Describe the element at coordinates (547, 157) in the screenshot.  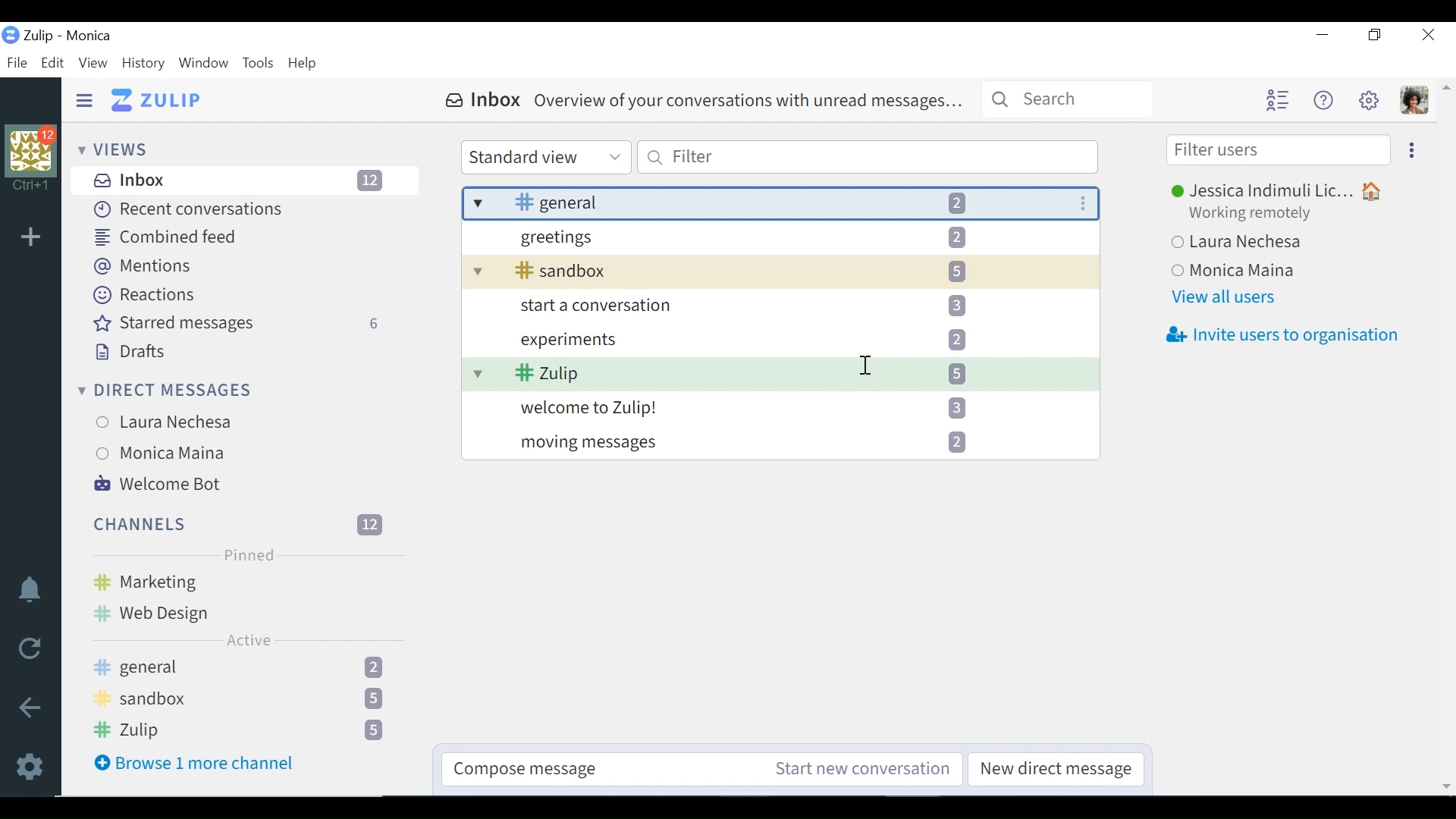
I see `Standard View` at that location.